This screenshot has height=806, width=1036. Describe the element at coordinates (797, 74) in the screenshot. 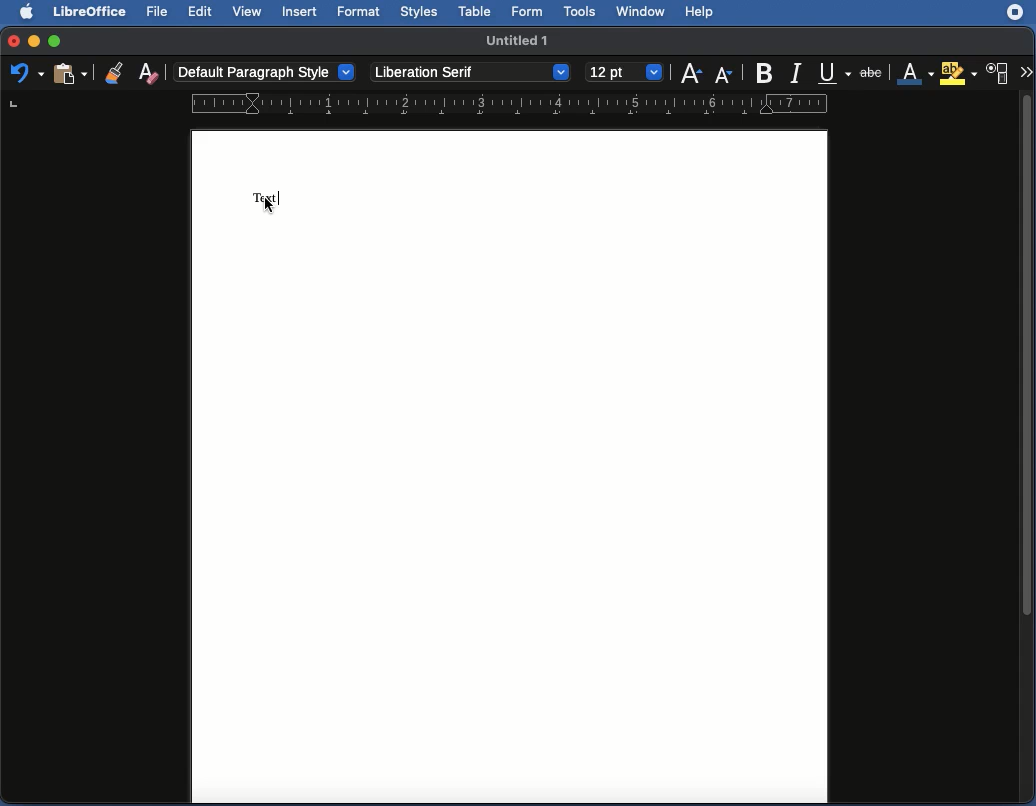

I see `Italics` at that location.